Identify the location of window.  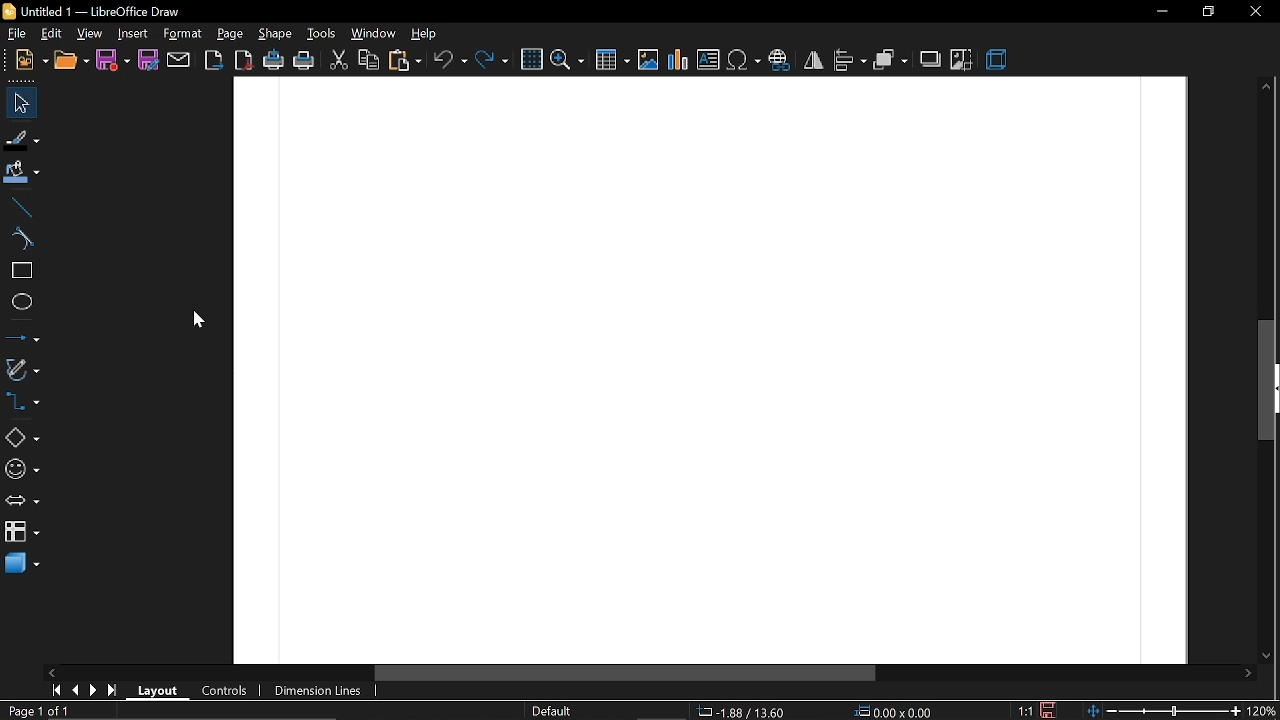
(372, 34).